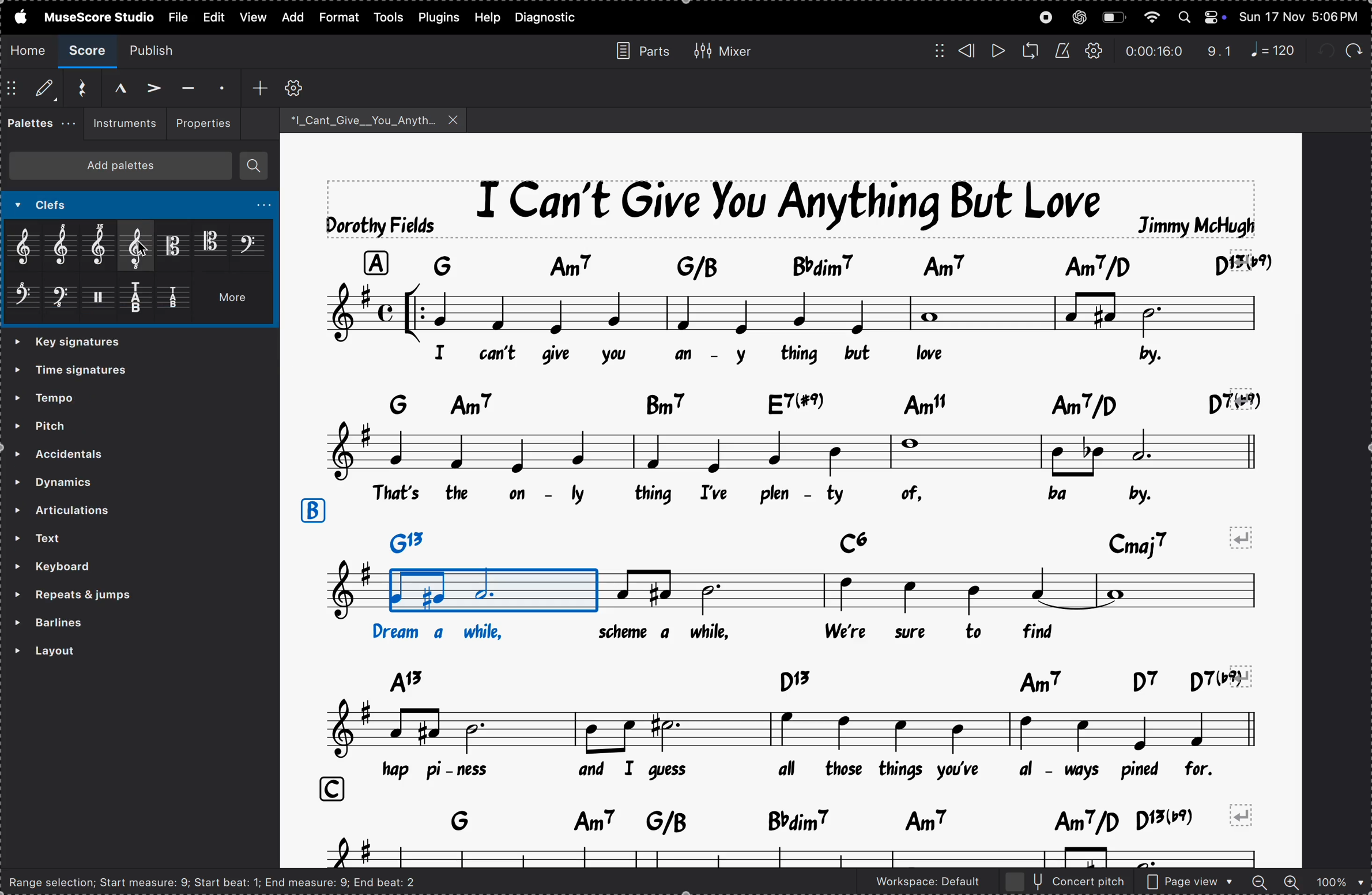  I want to click on row, so click(311, 511).